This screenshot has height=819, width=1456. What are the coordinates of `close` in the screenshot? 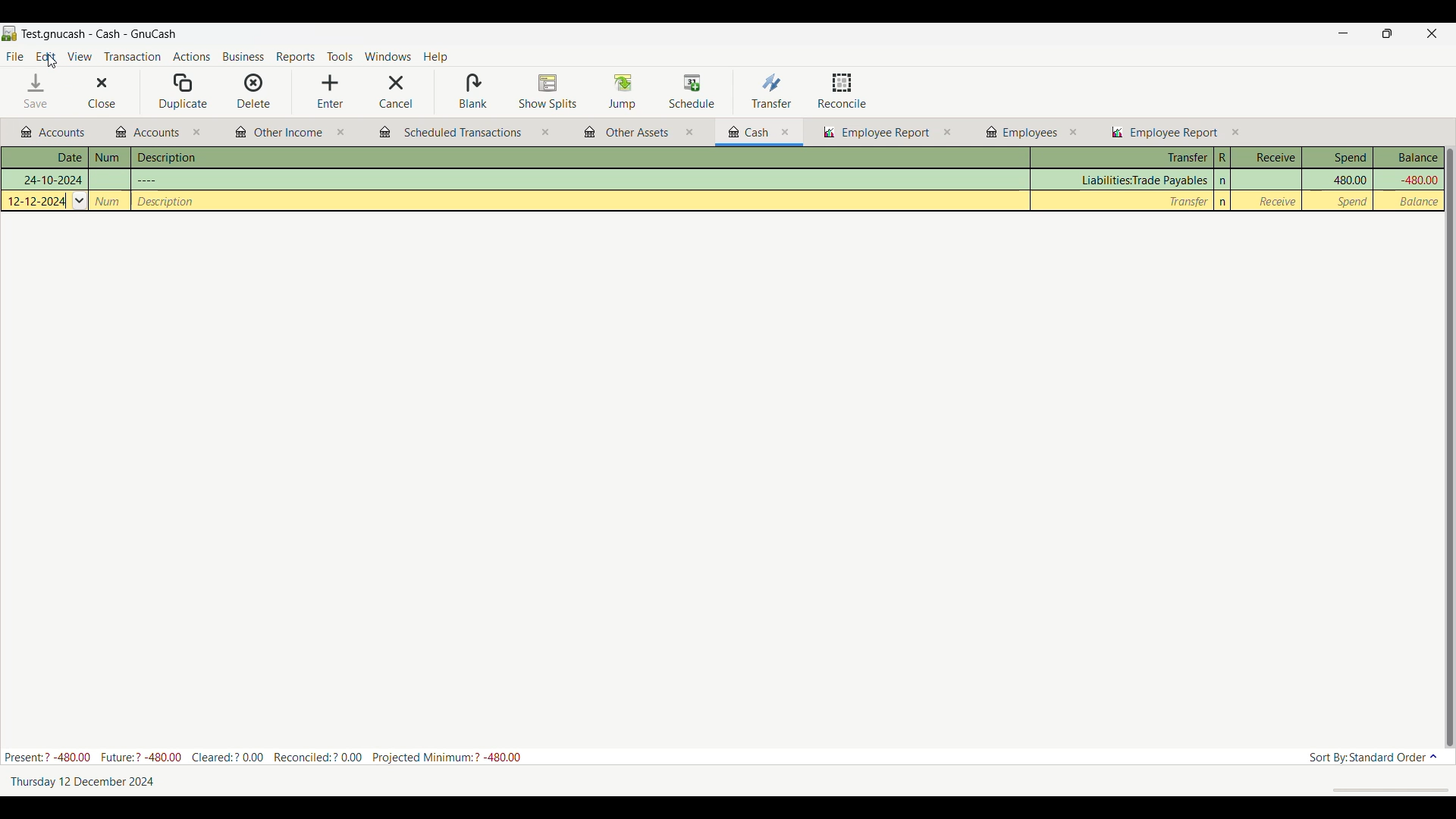 It's located at (946, 133).